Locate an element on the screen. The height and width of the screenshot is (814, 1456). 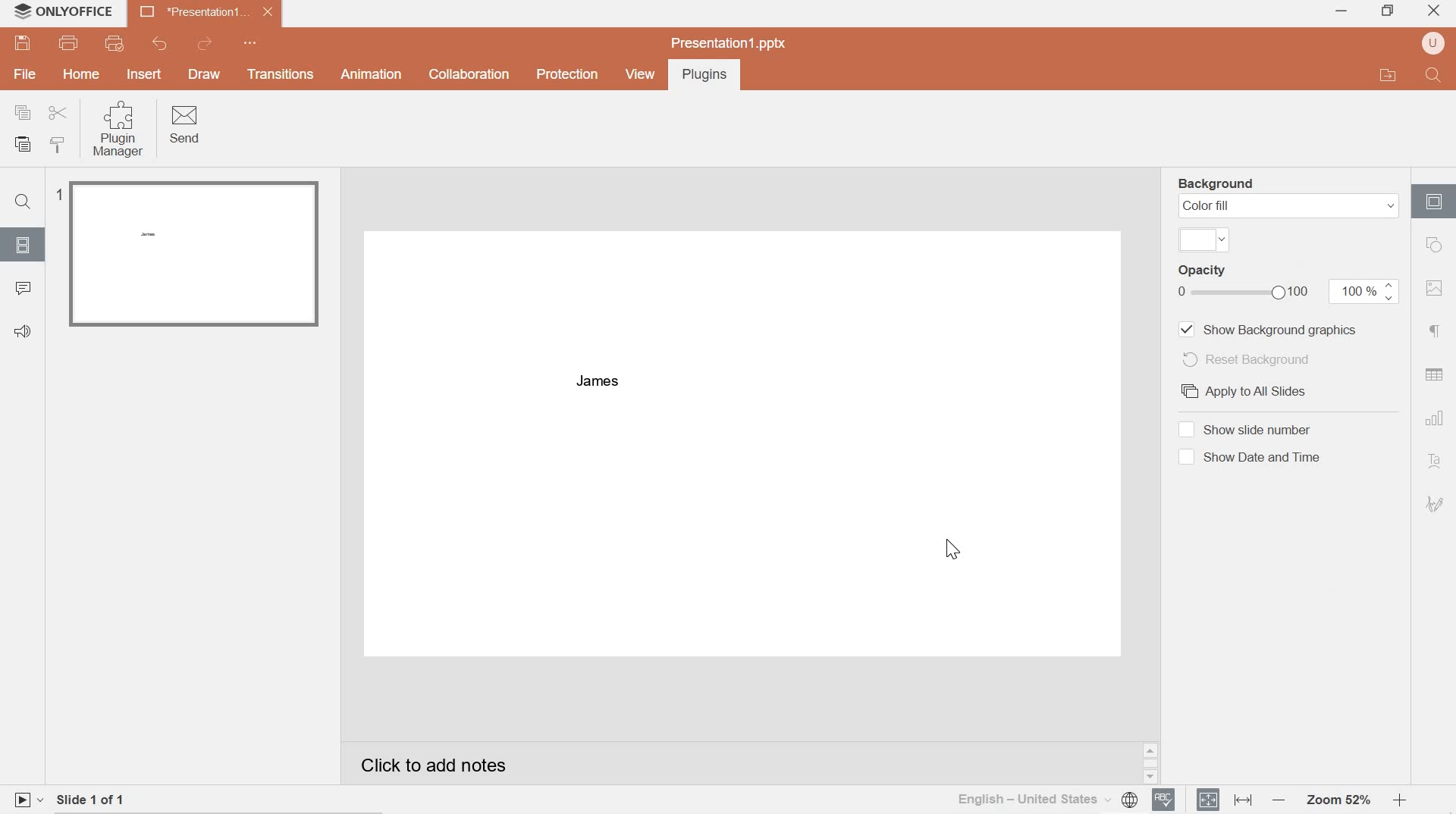
slides is located at coordinates (24, 245).